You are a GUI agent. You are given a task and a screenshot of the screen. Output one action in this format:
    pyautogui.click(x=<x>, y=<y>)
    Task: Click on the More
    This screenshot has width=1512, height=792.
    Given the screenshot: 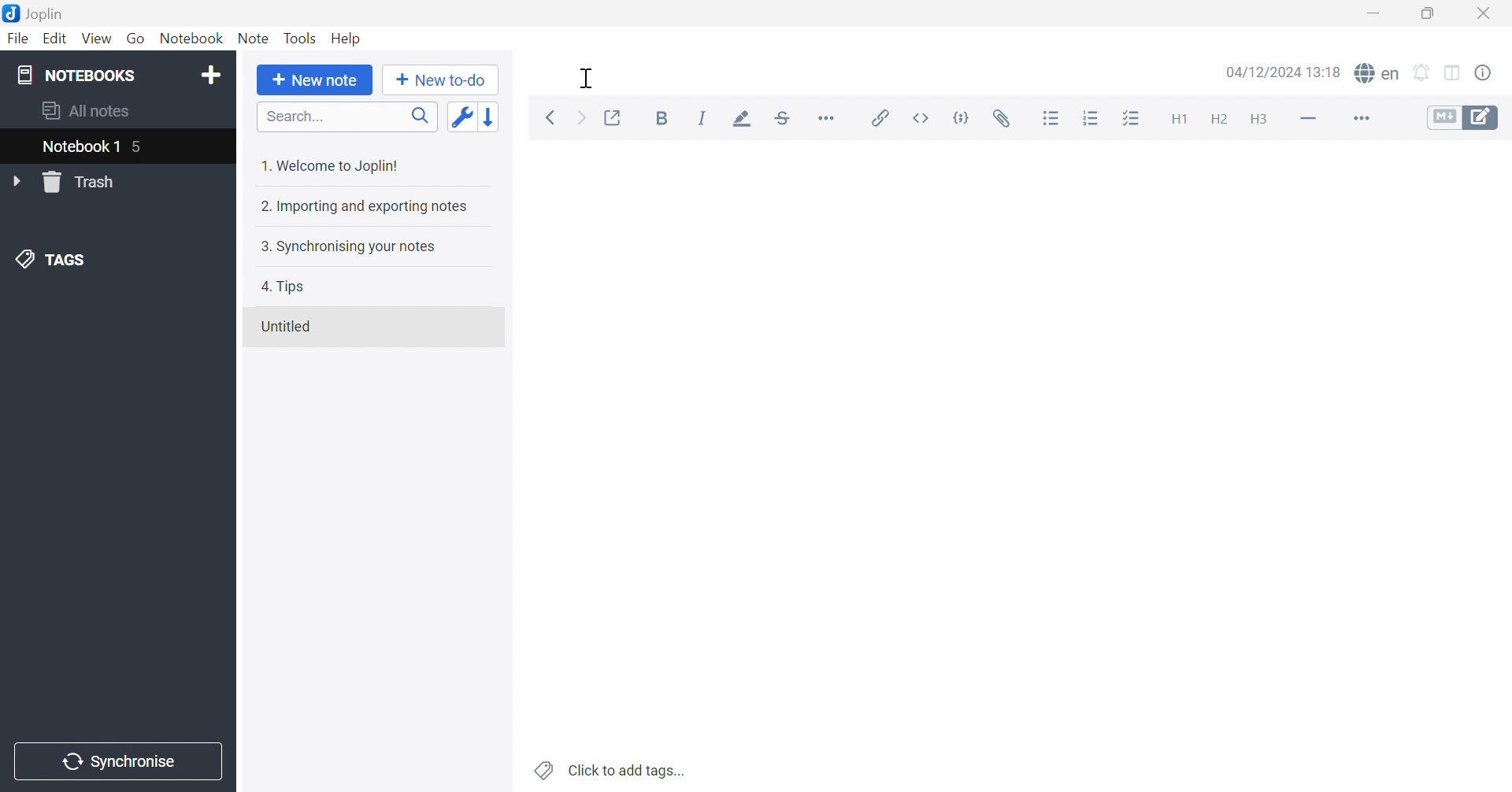 What is the action you would take?
    pyautogui.click(x=1367, y=118)
    